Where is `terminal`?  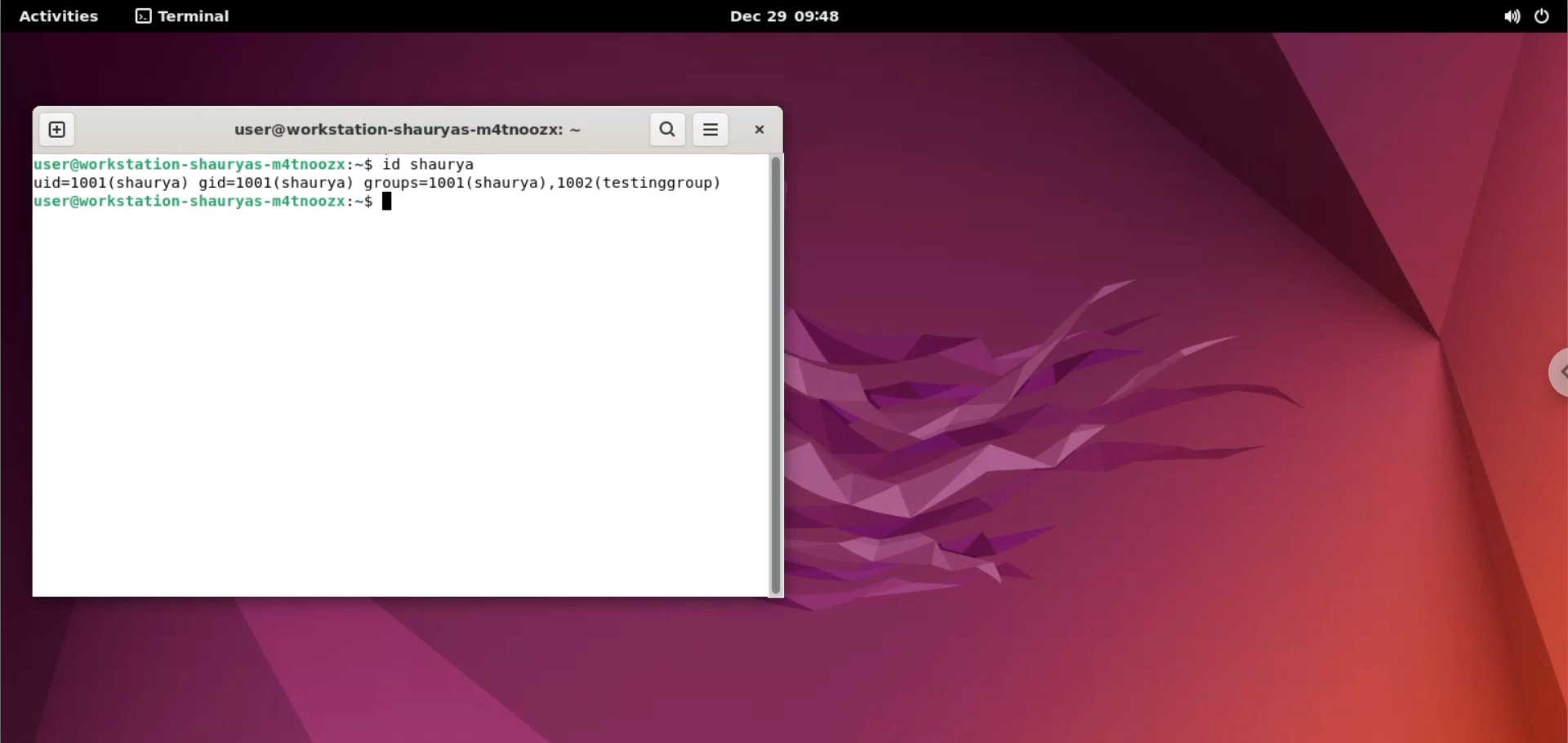 terminal is located at coordinates (198, 18).